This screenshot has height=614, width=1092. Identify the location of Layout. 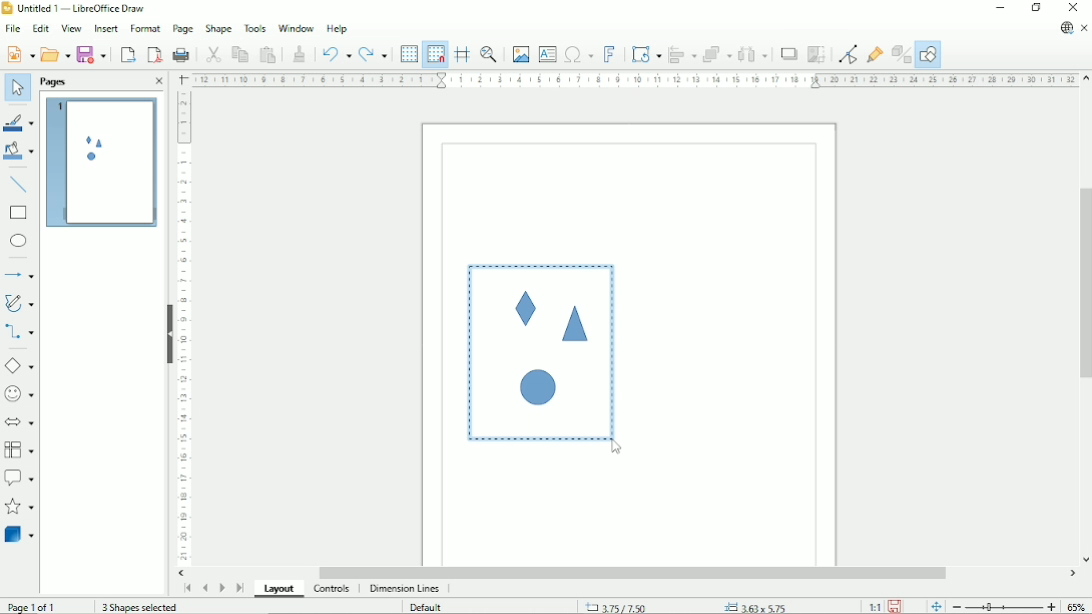
(279, 590).